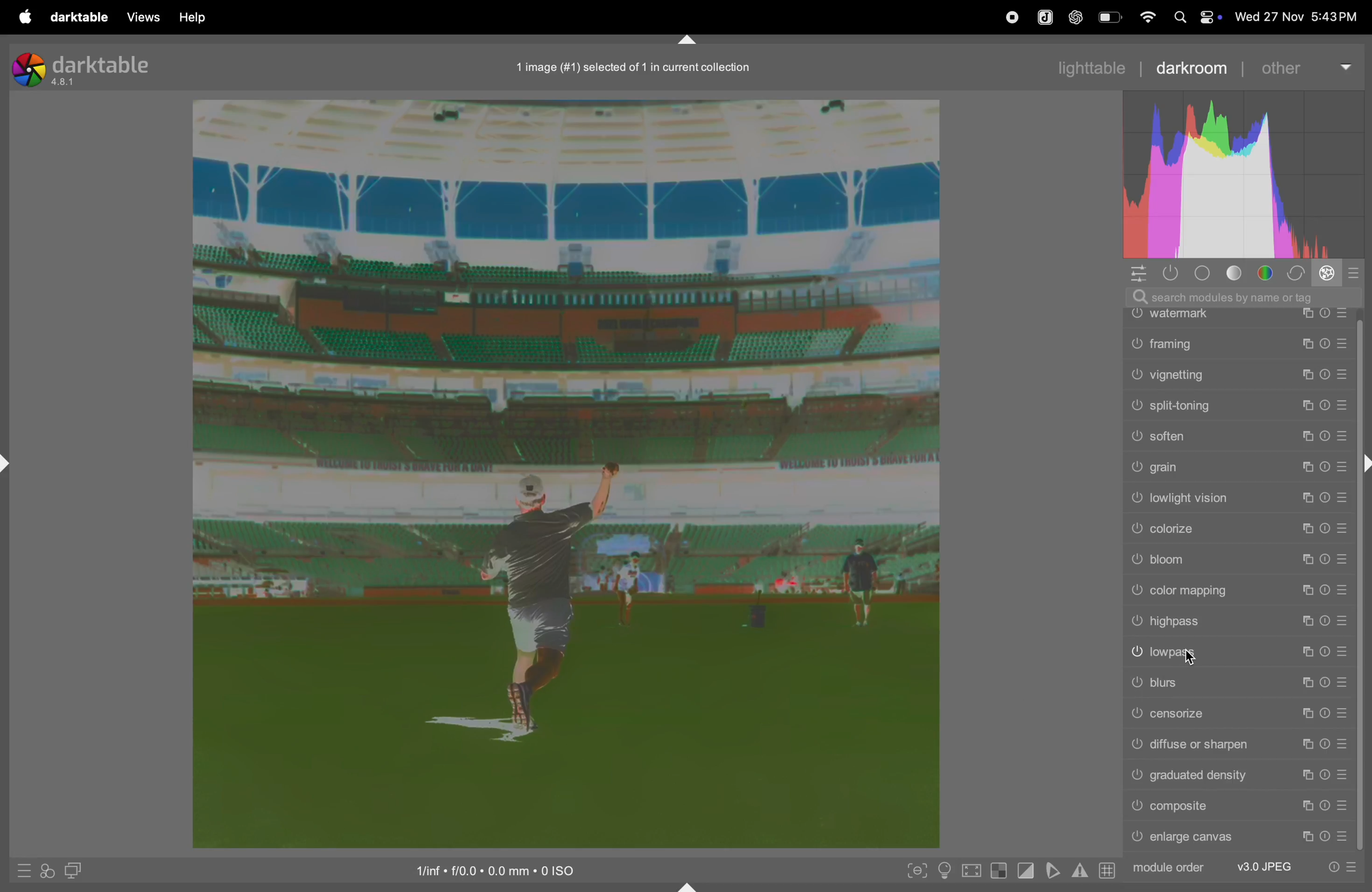  I want to click on scroll bar, so click(1360, 671).